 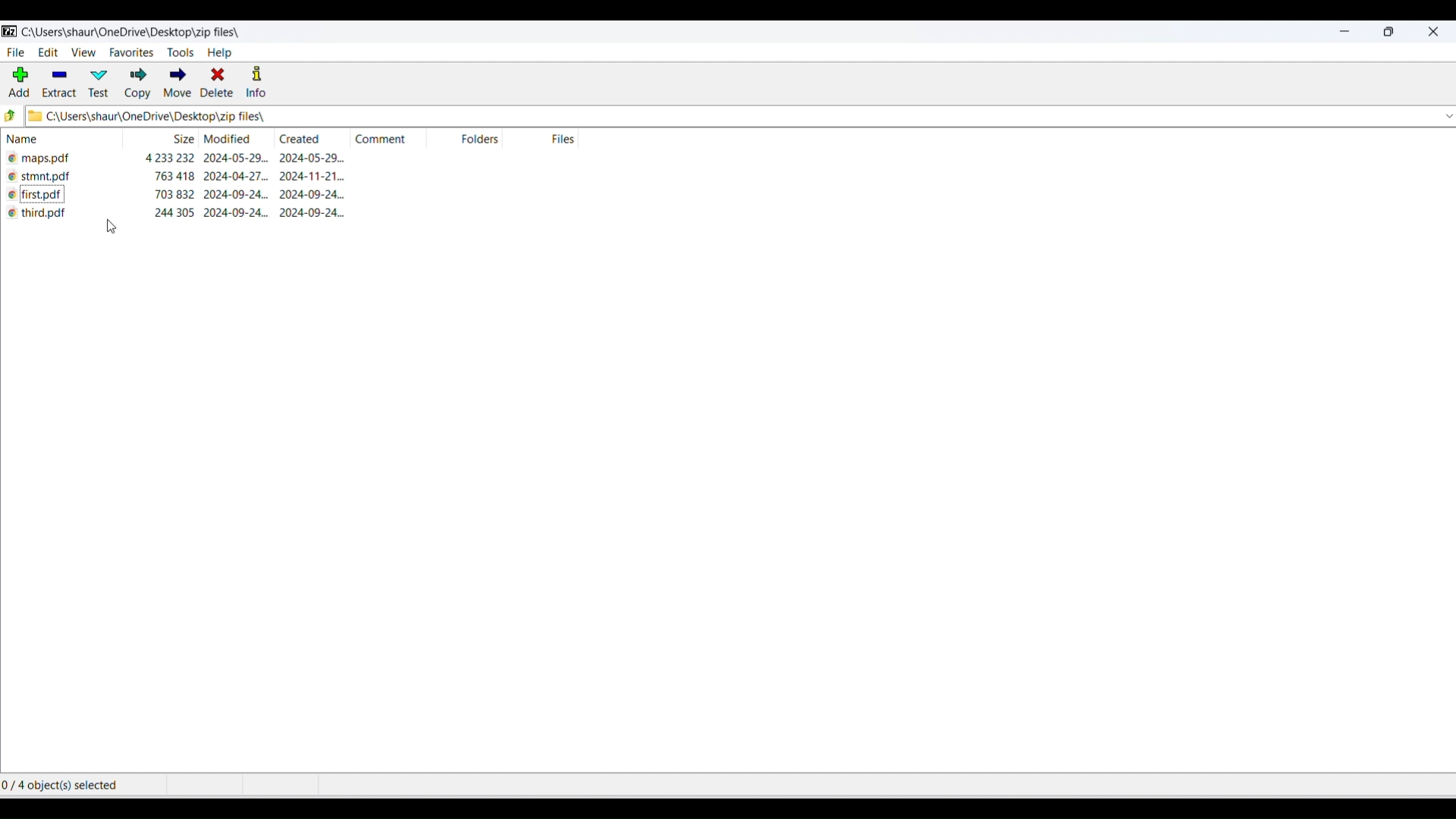 I want to click on view, so click(x=83, y=52).